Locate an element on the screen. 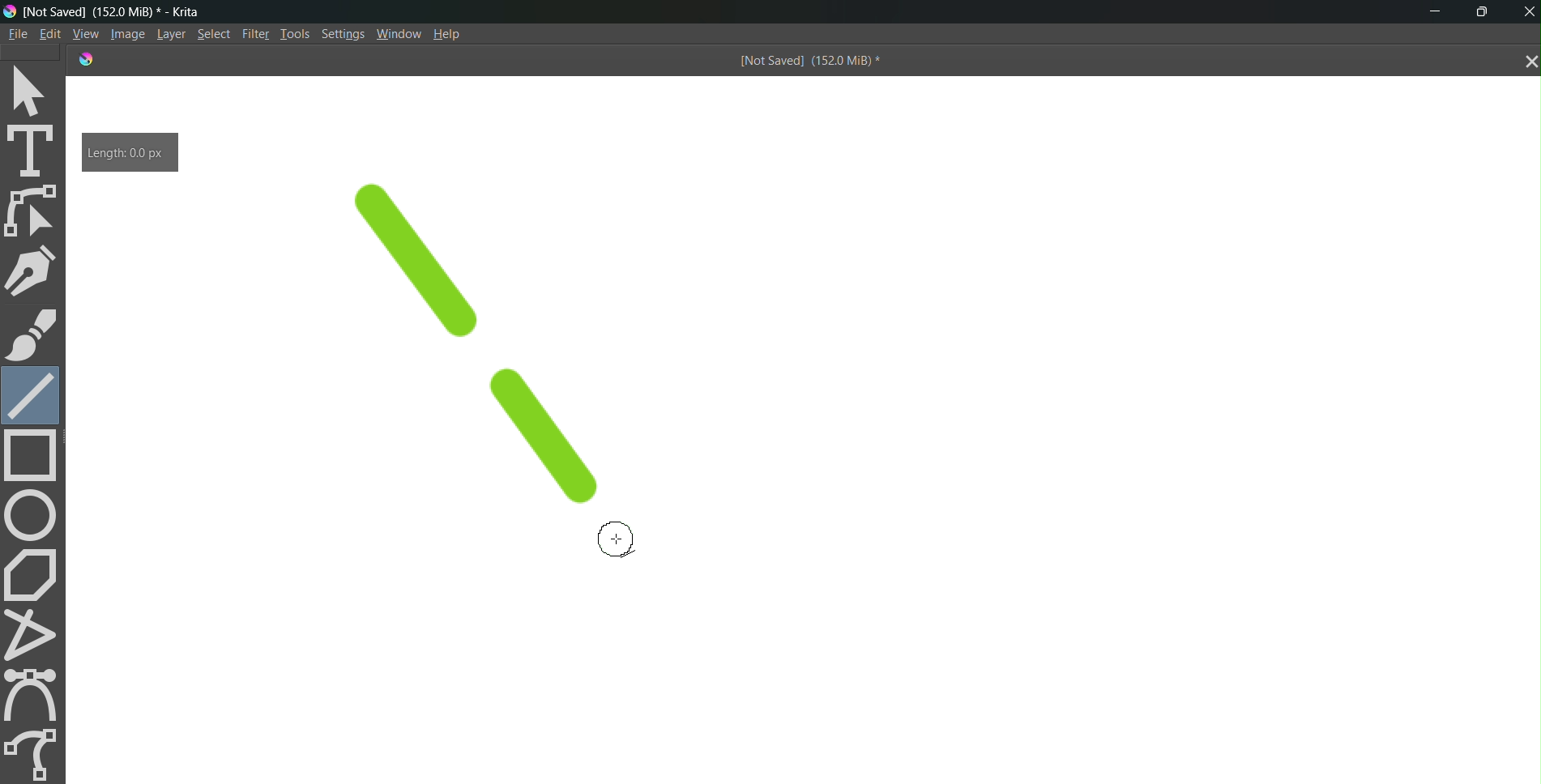 Image resolution: width=1541 pixels, height=784 pixels. pen is located at coordinates (35, 271).